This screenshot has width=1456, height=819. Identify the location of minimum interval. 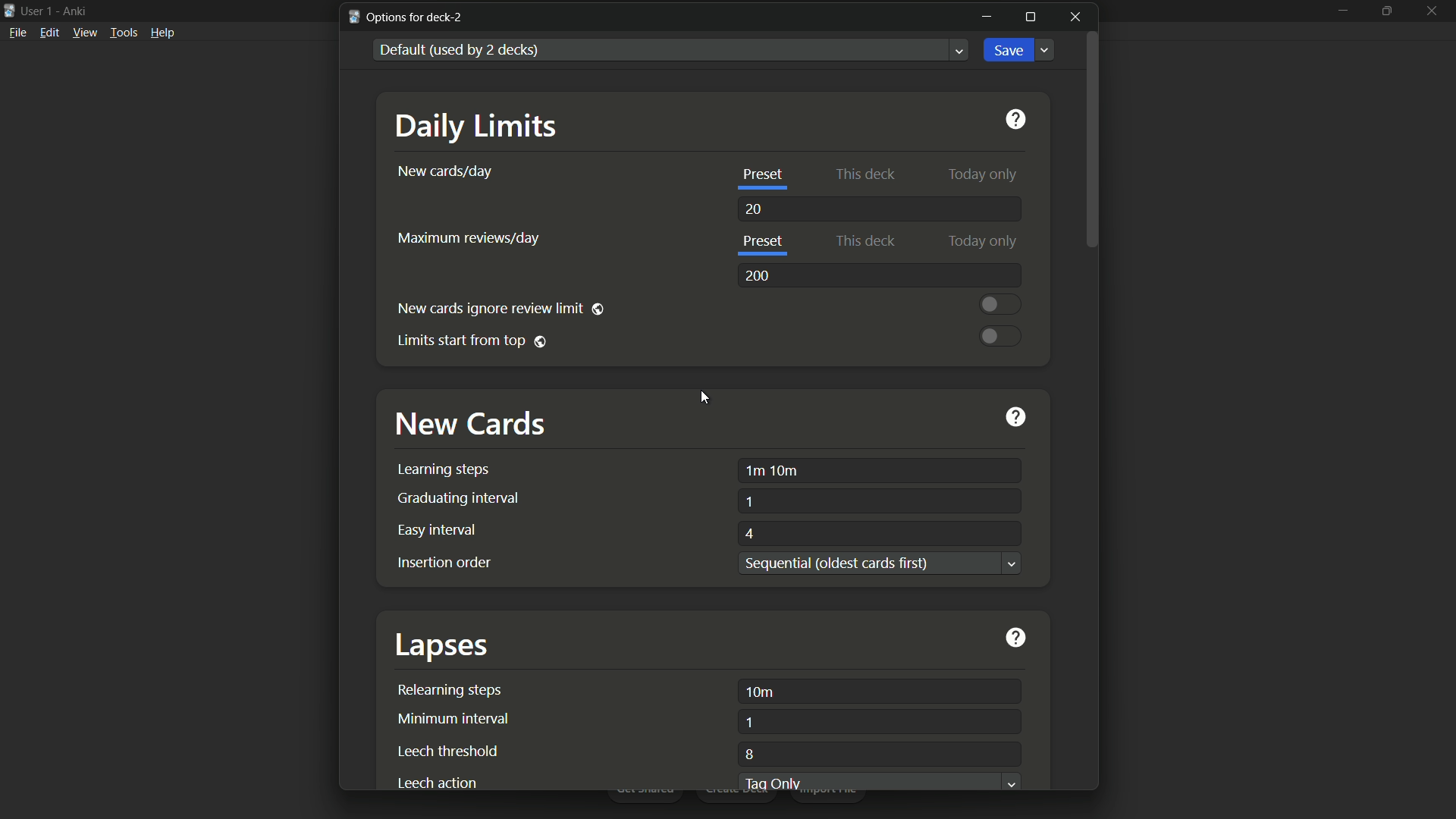
(453, 718).